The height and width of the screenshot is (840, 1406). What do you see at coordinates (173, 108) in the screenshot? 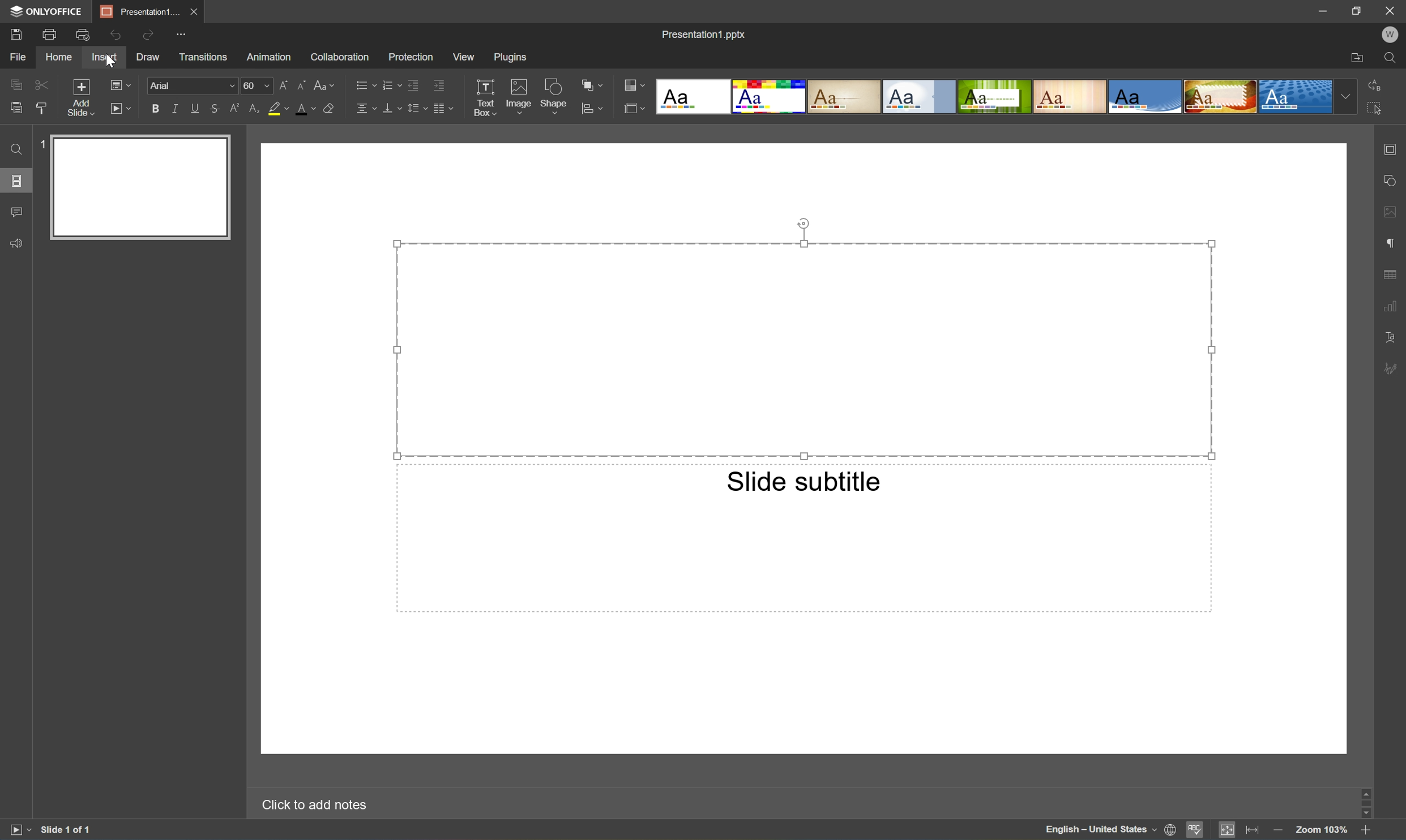
I see `Italic` at bounding box center [173, 108].